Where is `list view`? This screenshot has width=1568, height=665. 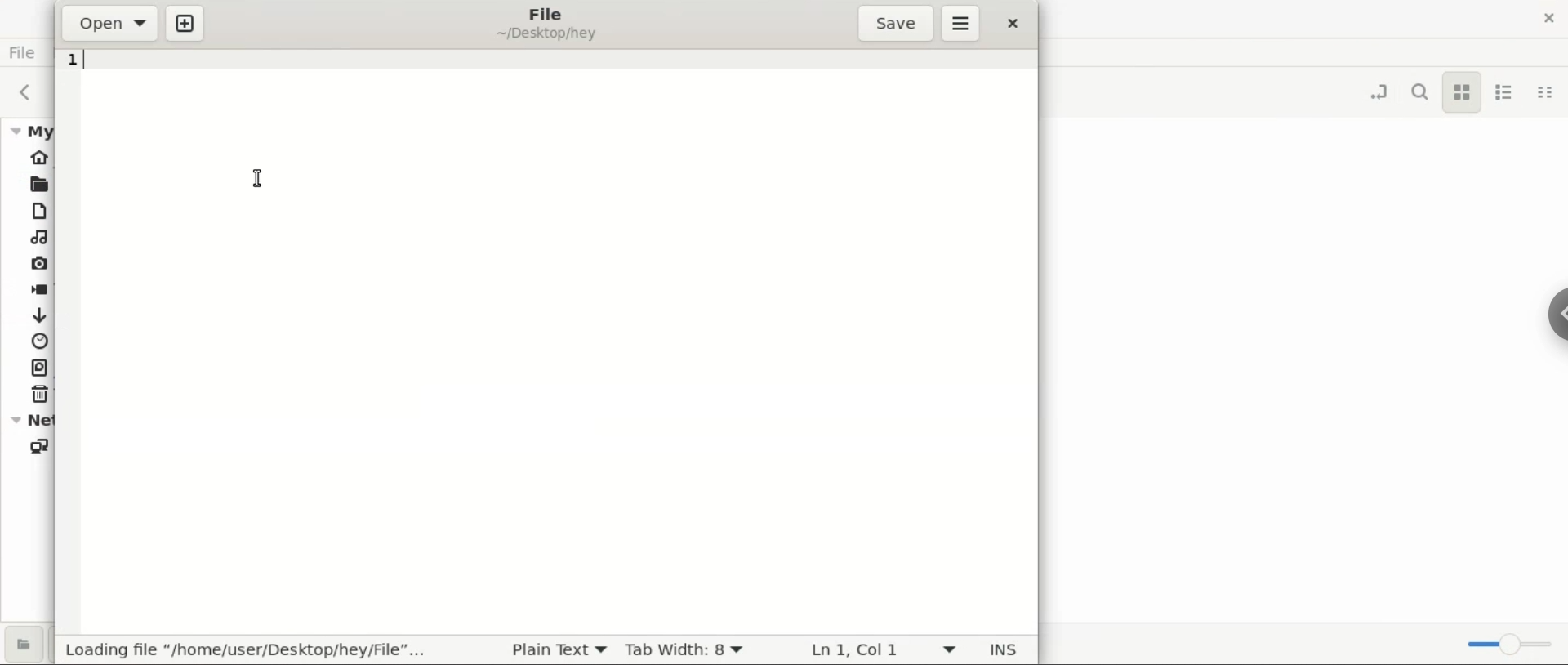
list view is located at coordinates (1508, 91).